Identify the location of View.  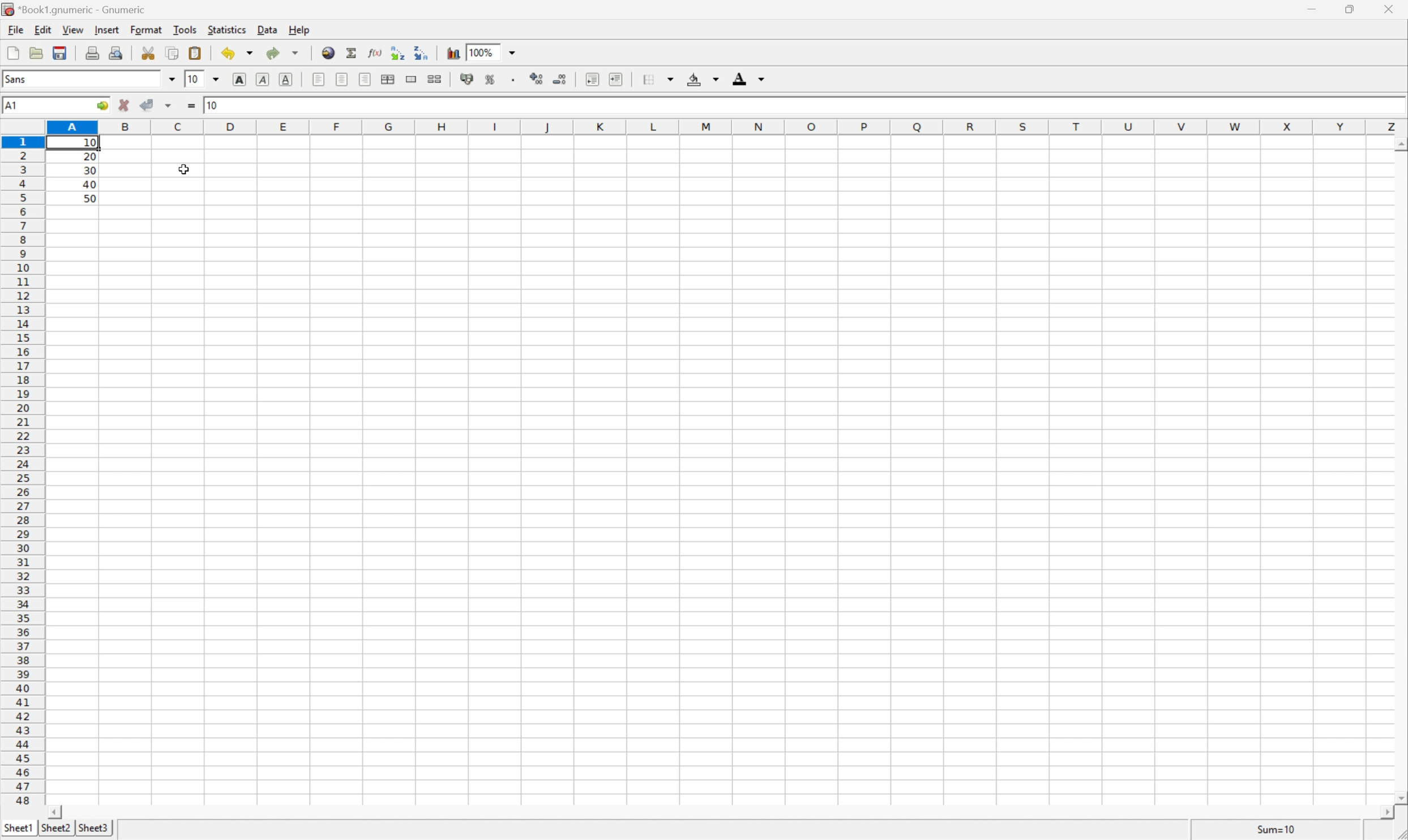
(74, 30).